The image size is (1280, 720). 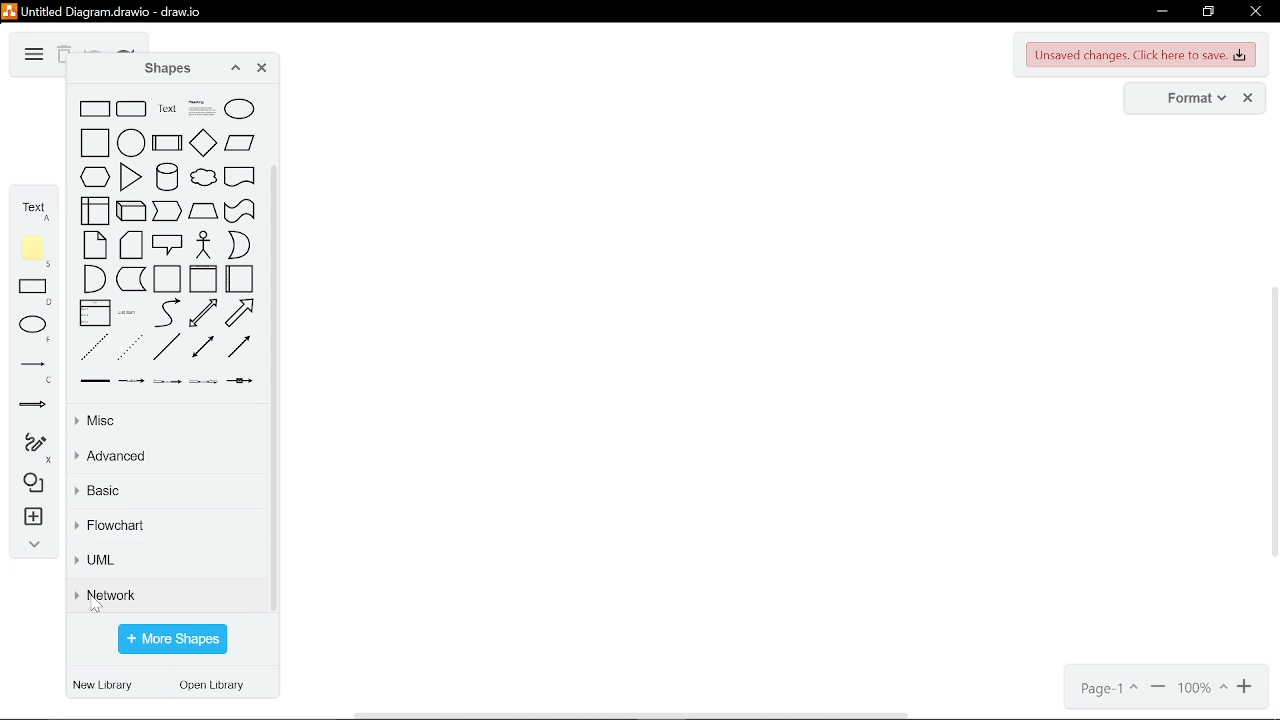 What do you see at coordinates (203, 346) in the screenshot?
I see `bidirectional connector` at bounding box center [203, 346].